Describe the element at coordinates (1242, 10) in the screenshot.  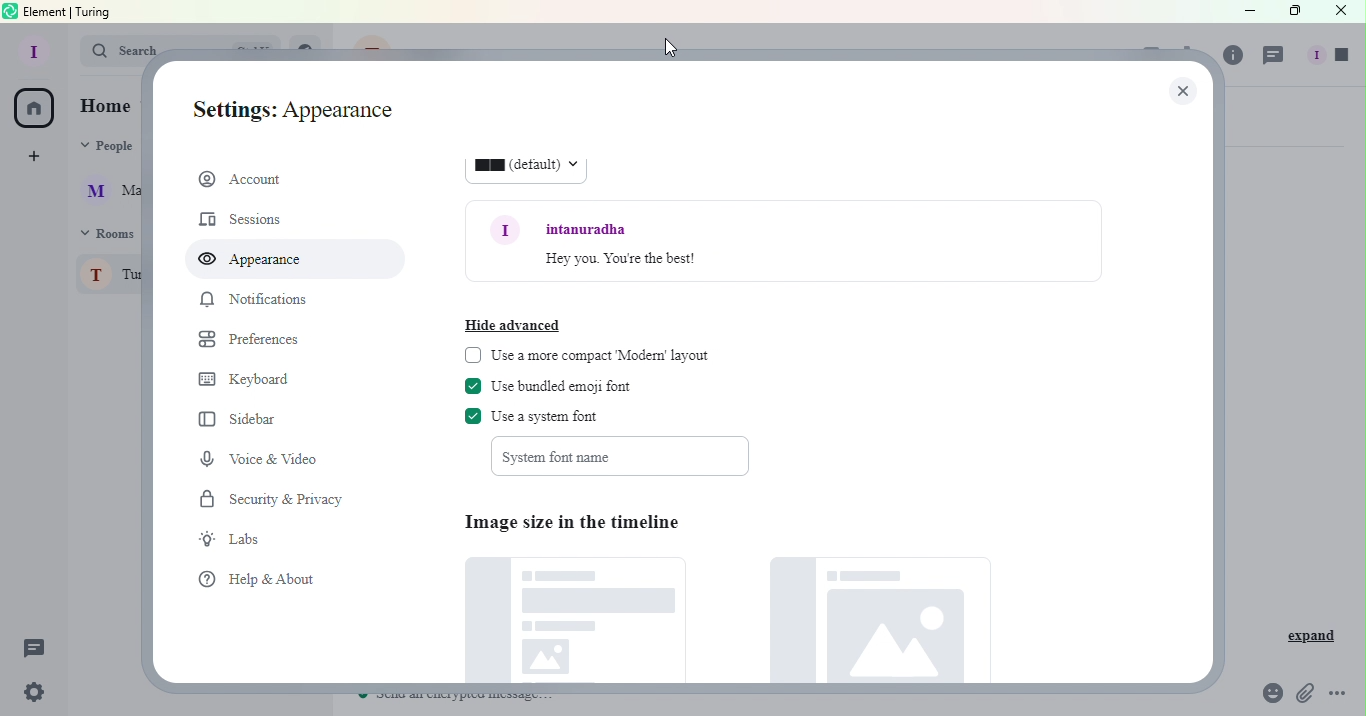
I see `Minimize` at that location.